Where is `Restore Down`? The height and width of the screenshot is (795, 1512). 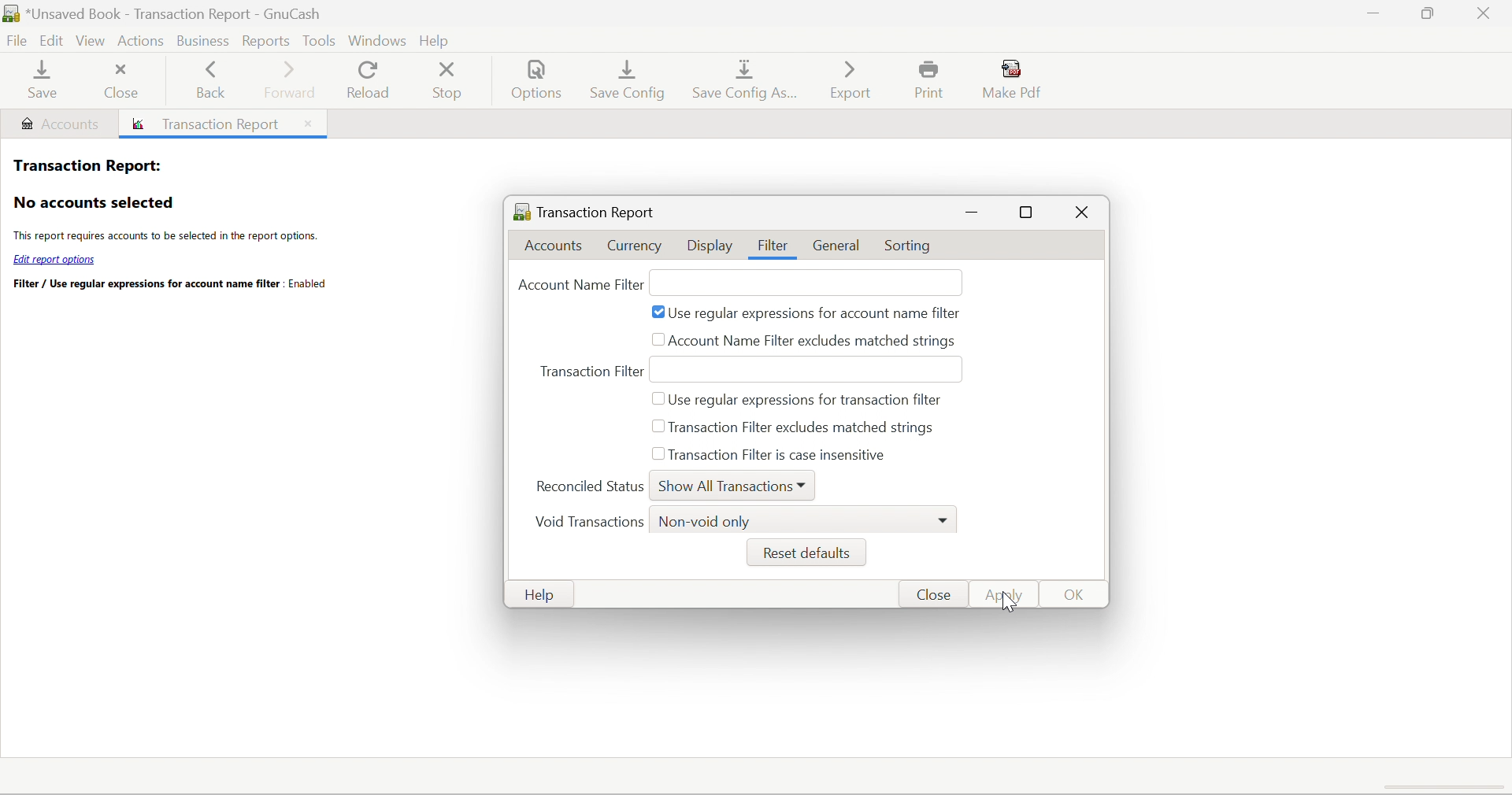 Restore Down is located at coordinates (1425, 14).